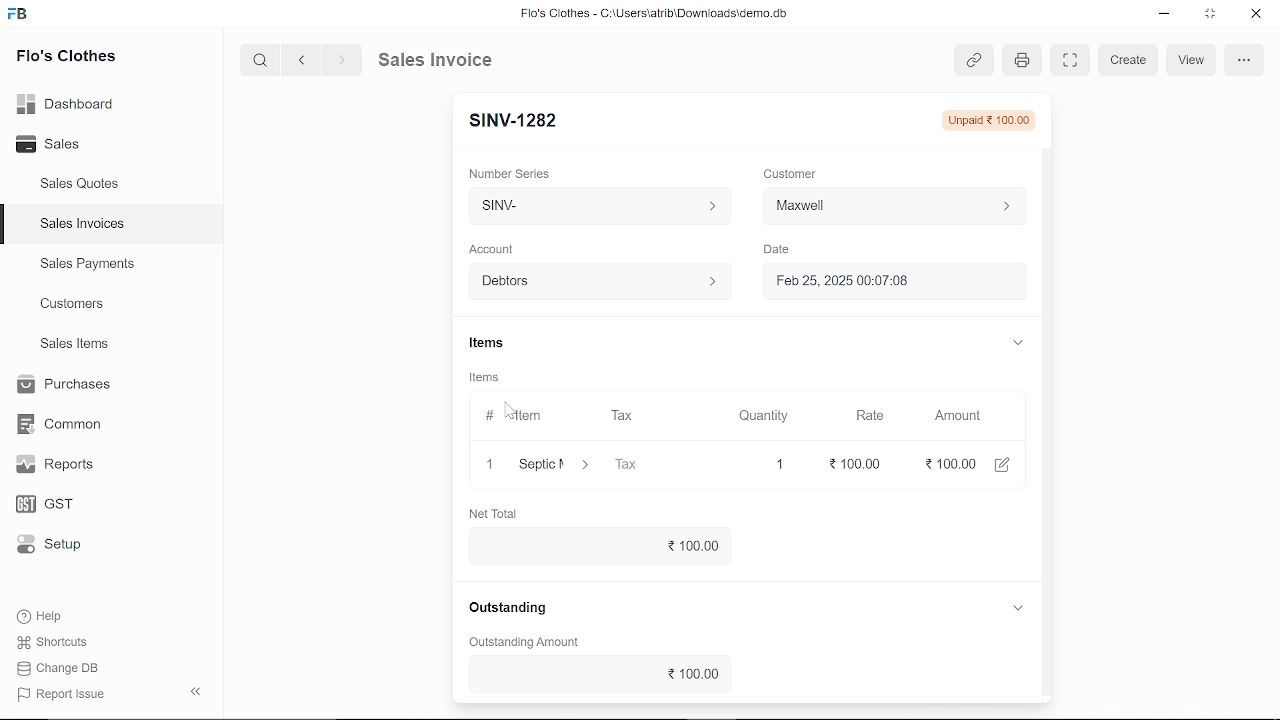 The image size is (1280, 720). What do you see at coordinates (1244, 60) in the screenshot?
I see `options` at bounding box center [1244, 60].